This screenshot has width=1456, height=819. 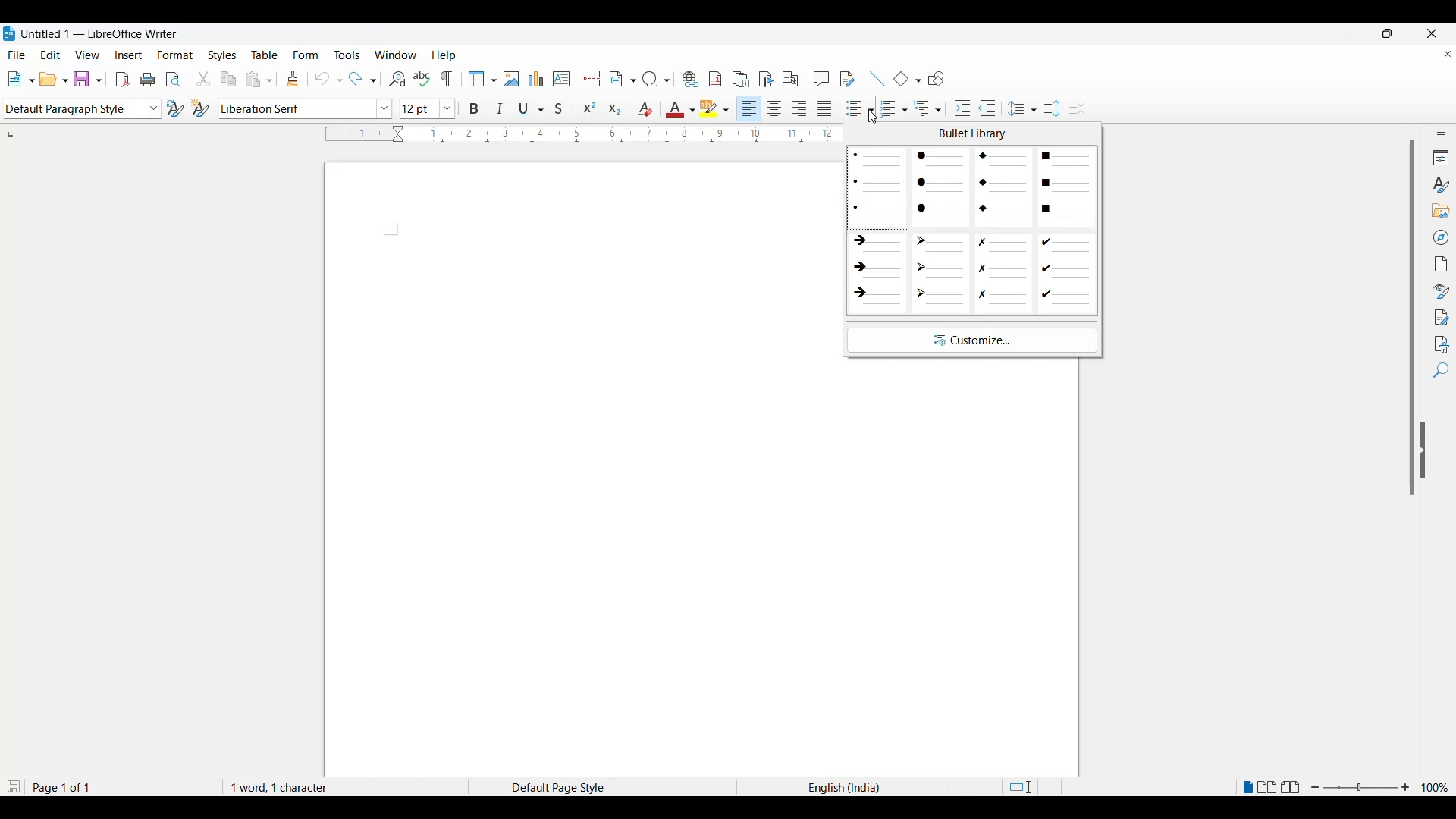 I want to click on Styles, so click(x=221, y=53).